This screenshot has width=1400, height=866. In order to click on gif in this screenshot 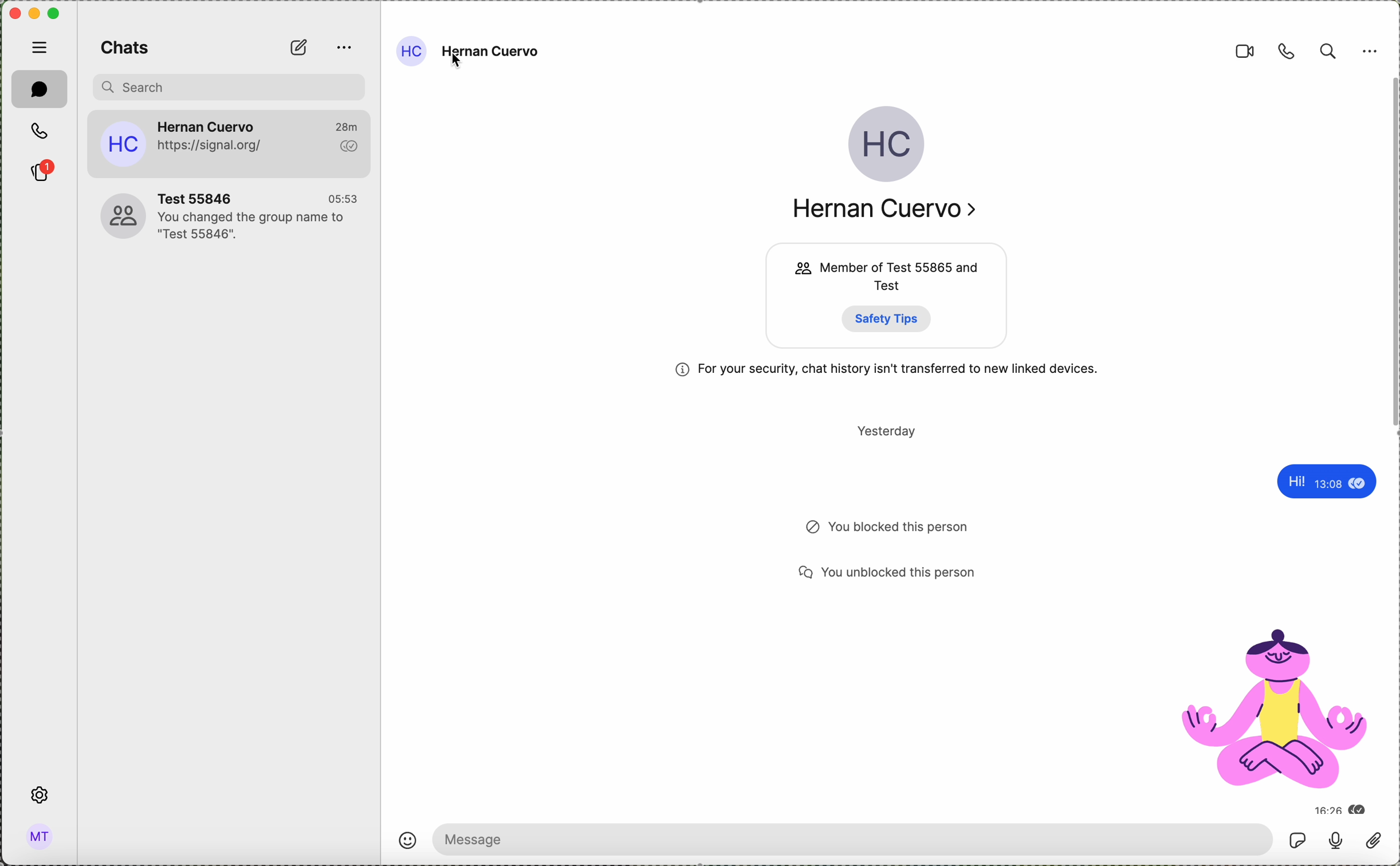, I will do `click(1296, 841)`.